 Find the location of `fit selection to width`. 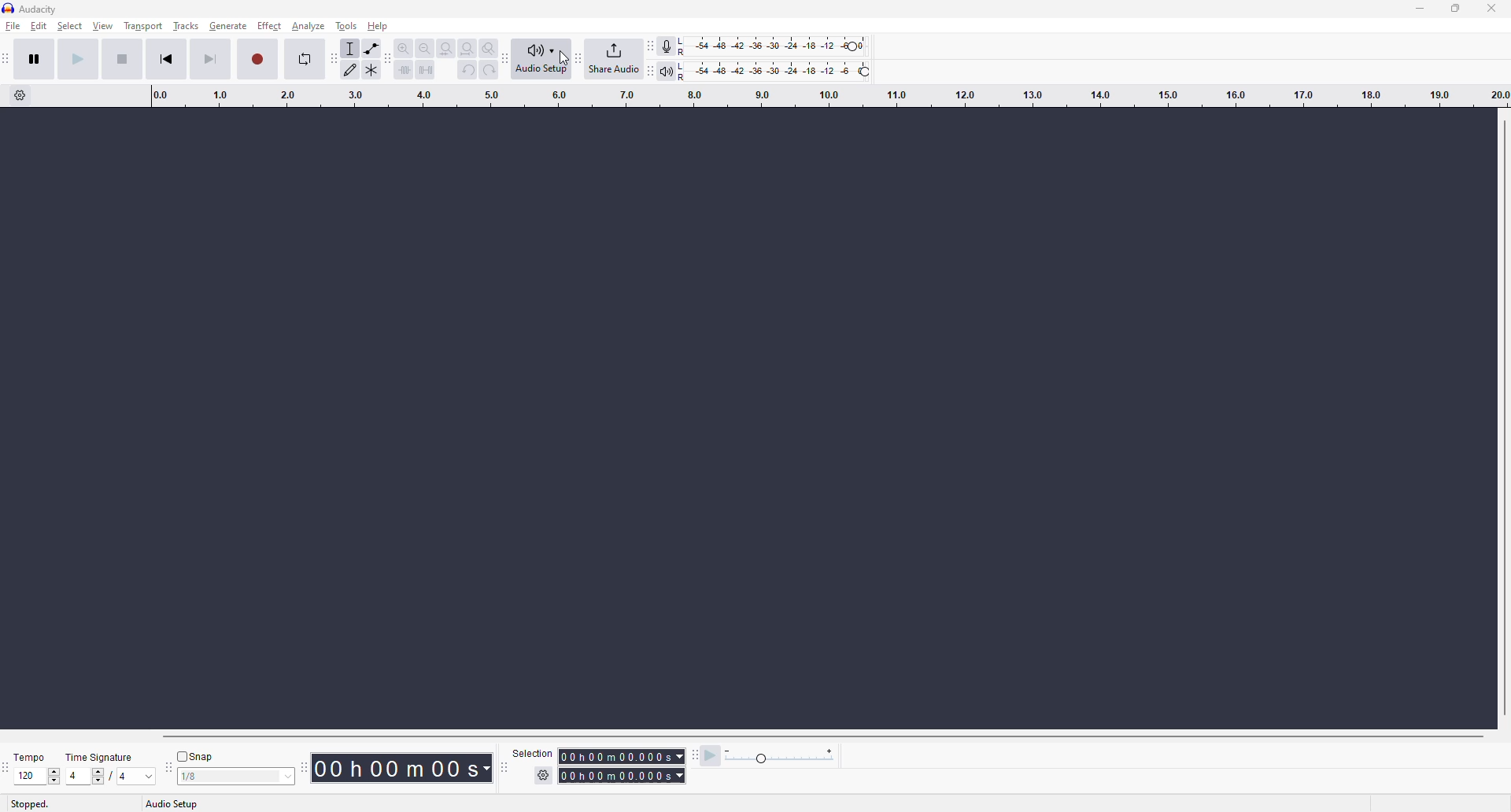

fit selection to width is located at coordinates (446, 47).